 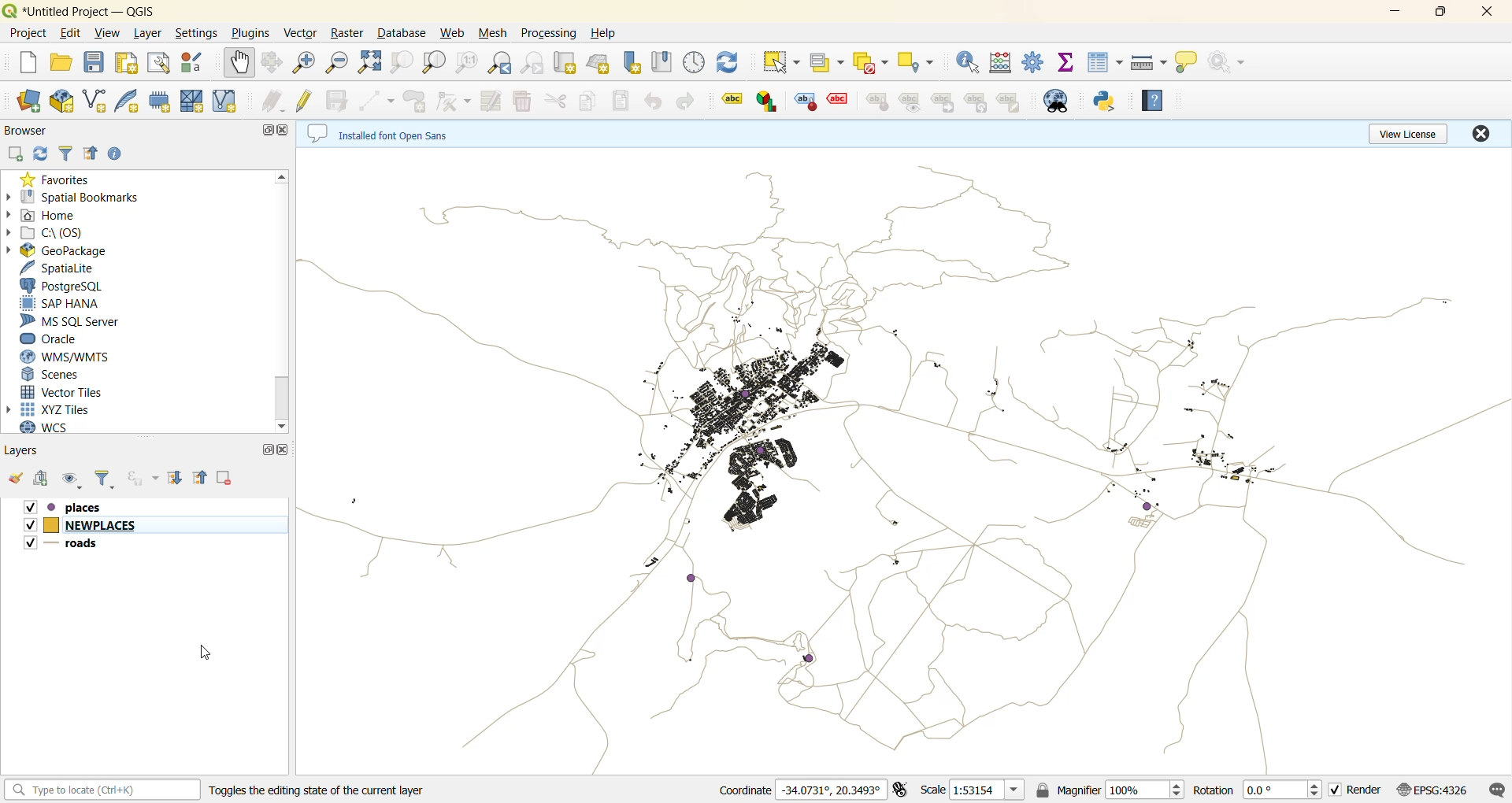 I want to click on scenes, so click(x=56, y=374).